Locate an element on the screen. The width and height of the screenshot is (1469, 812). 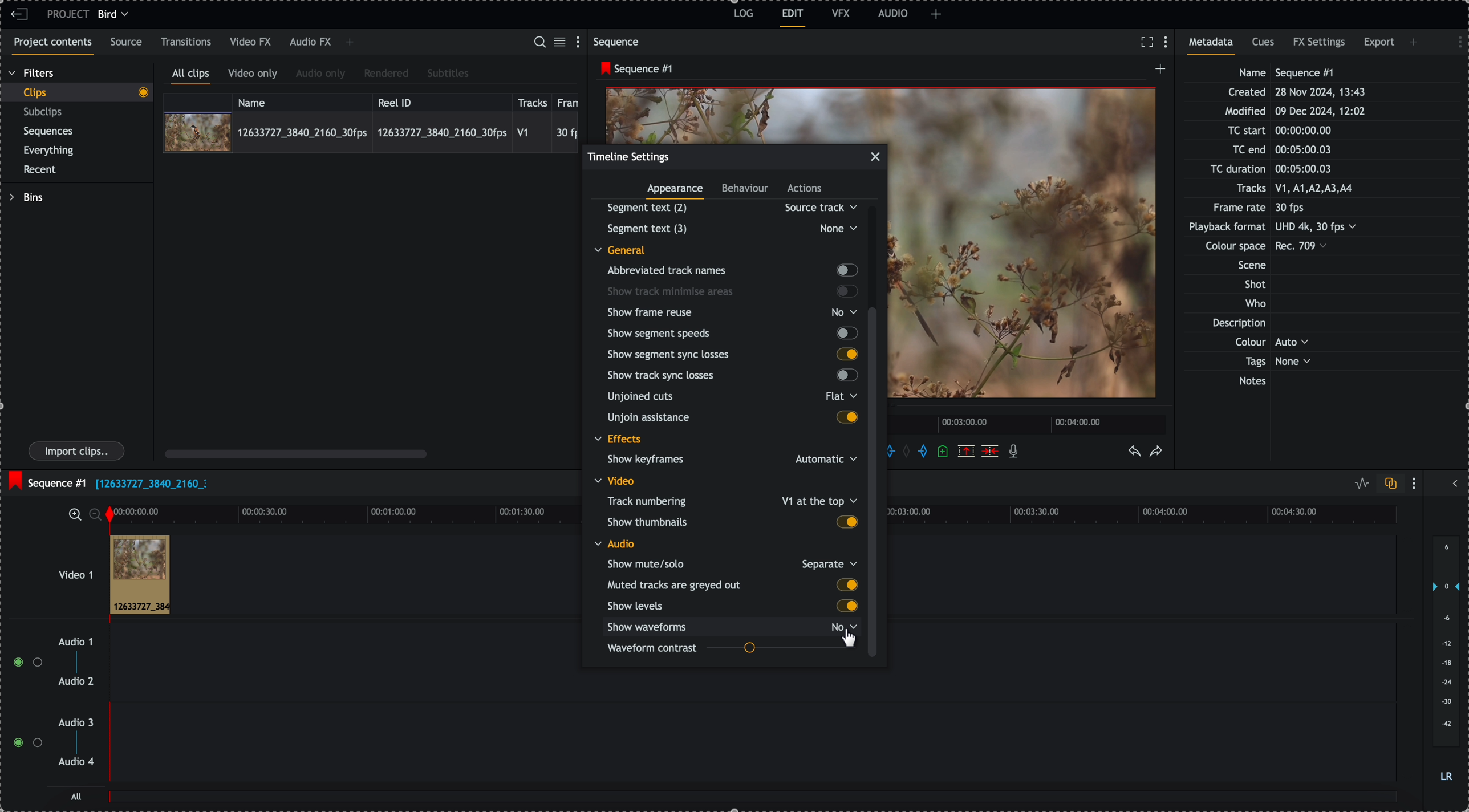
subclips is located at coordinates (45, 112).